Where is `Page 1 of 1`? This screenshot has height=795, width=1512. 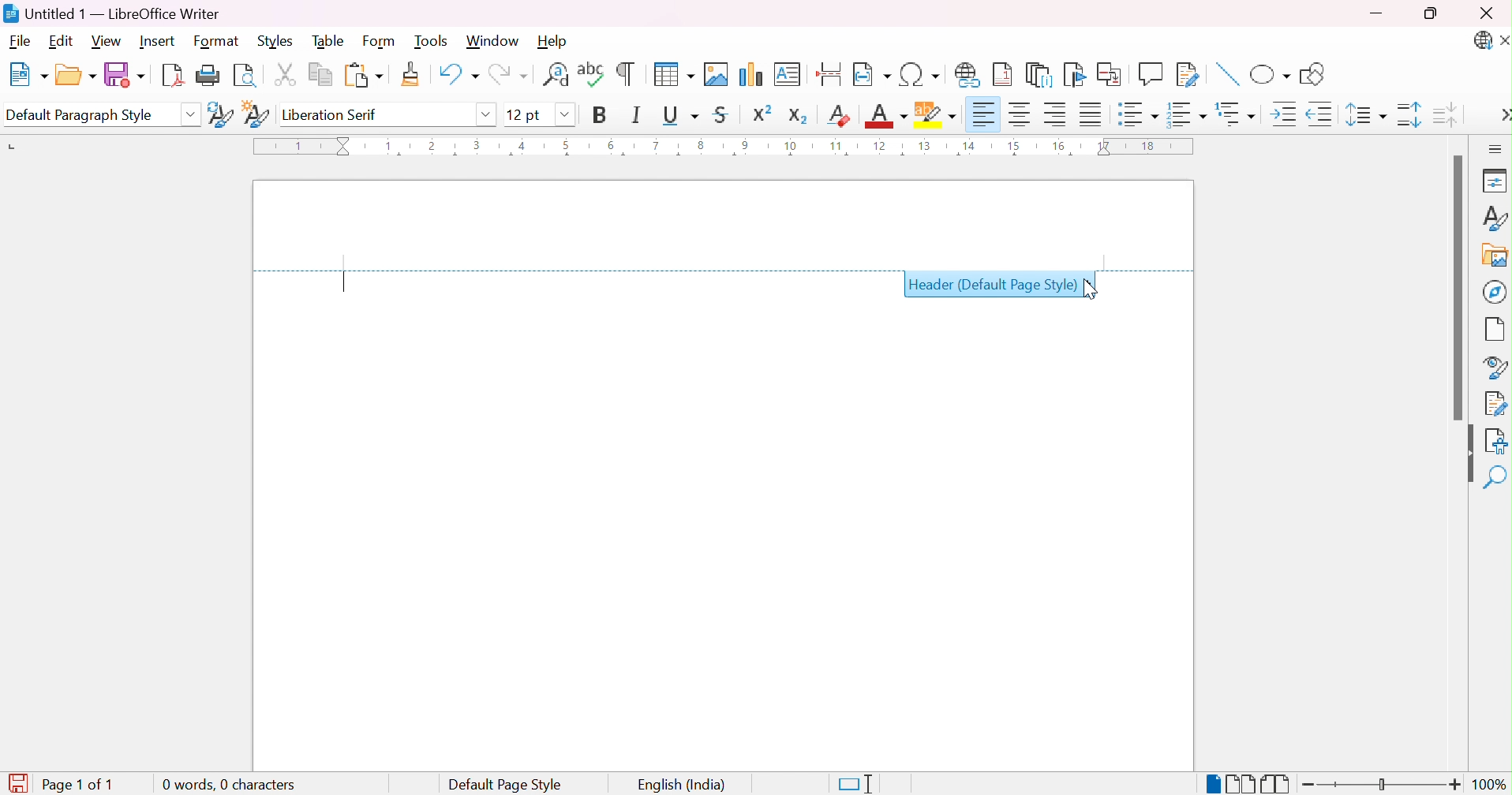
Page 1 of 1 is located at coordinates (58, 782).